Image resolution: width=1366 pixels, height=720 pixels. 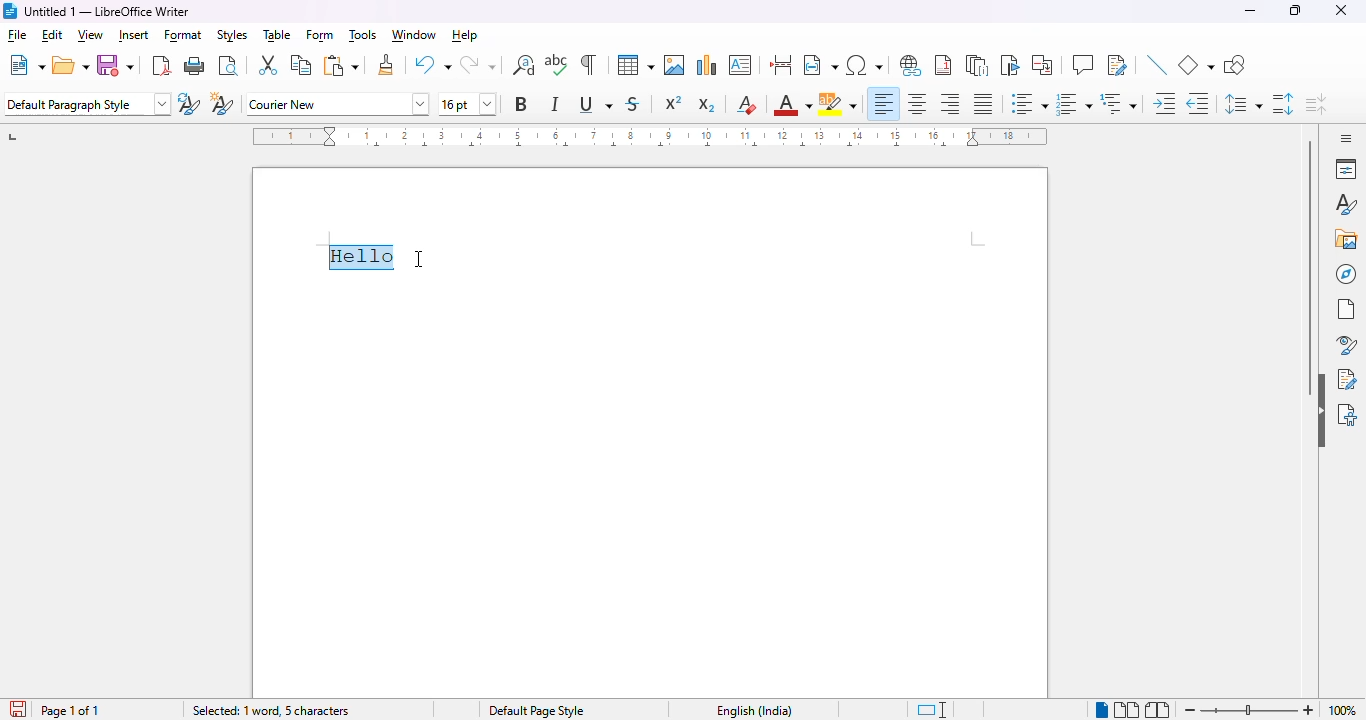 What do you see at coordinates (885, 104) in the screenshot?
I see `align left` at bounding box center [885, 104].